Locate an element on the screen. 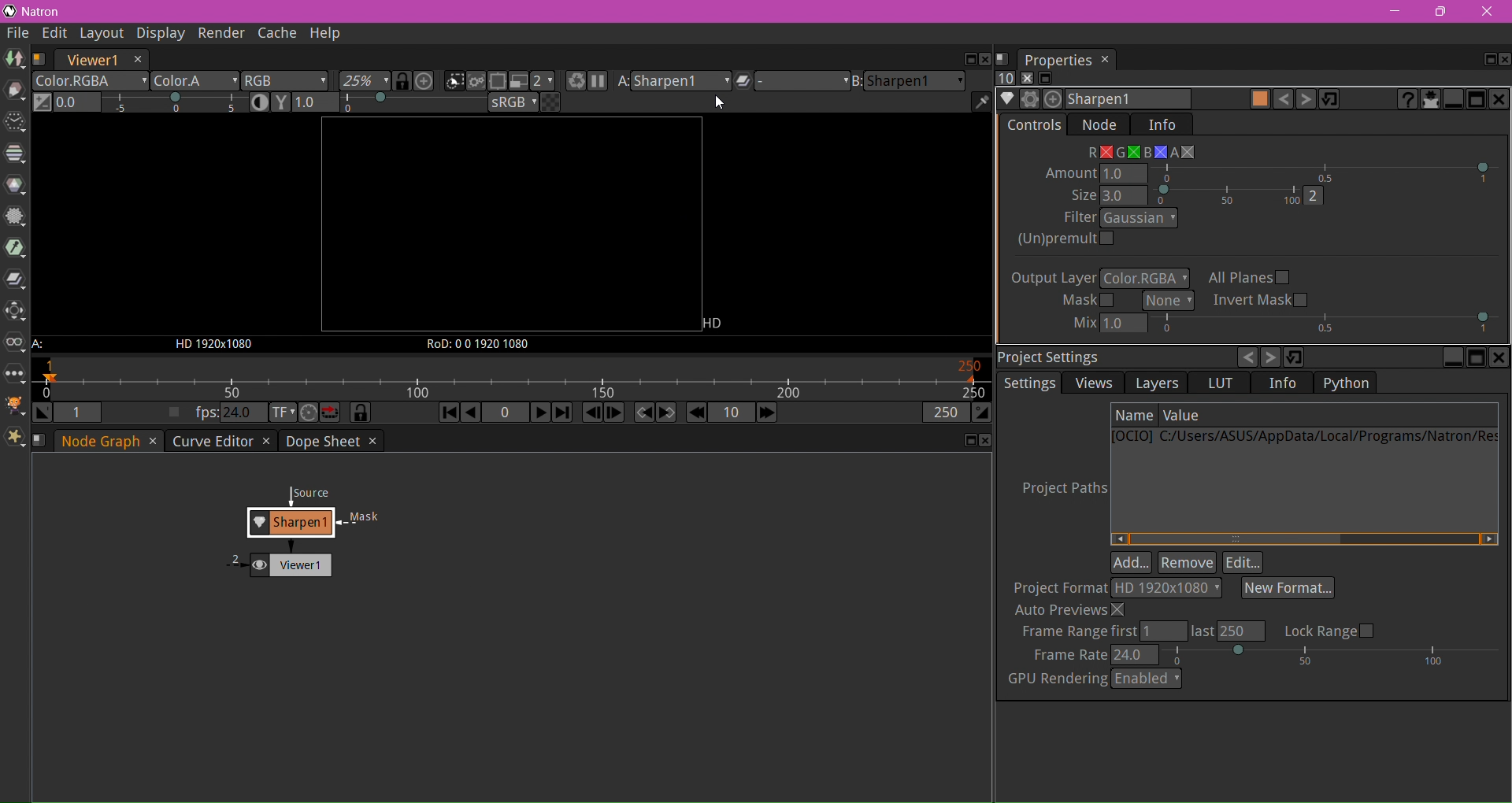  Layer is located at coordinates (91, 81).